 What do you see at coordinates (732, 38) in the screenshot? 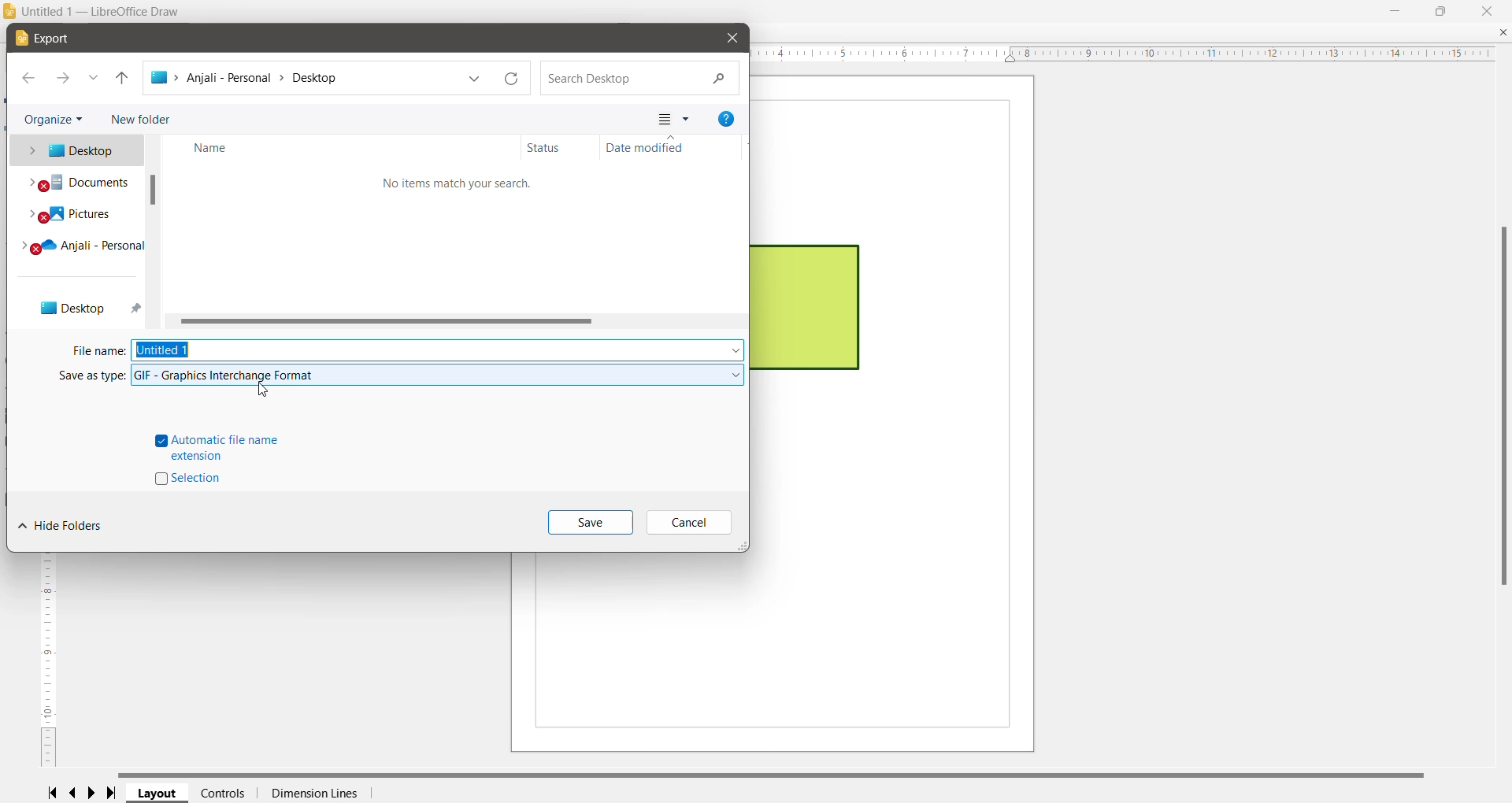
I see `Close` at bounding box center [732, 38].